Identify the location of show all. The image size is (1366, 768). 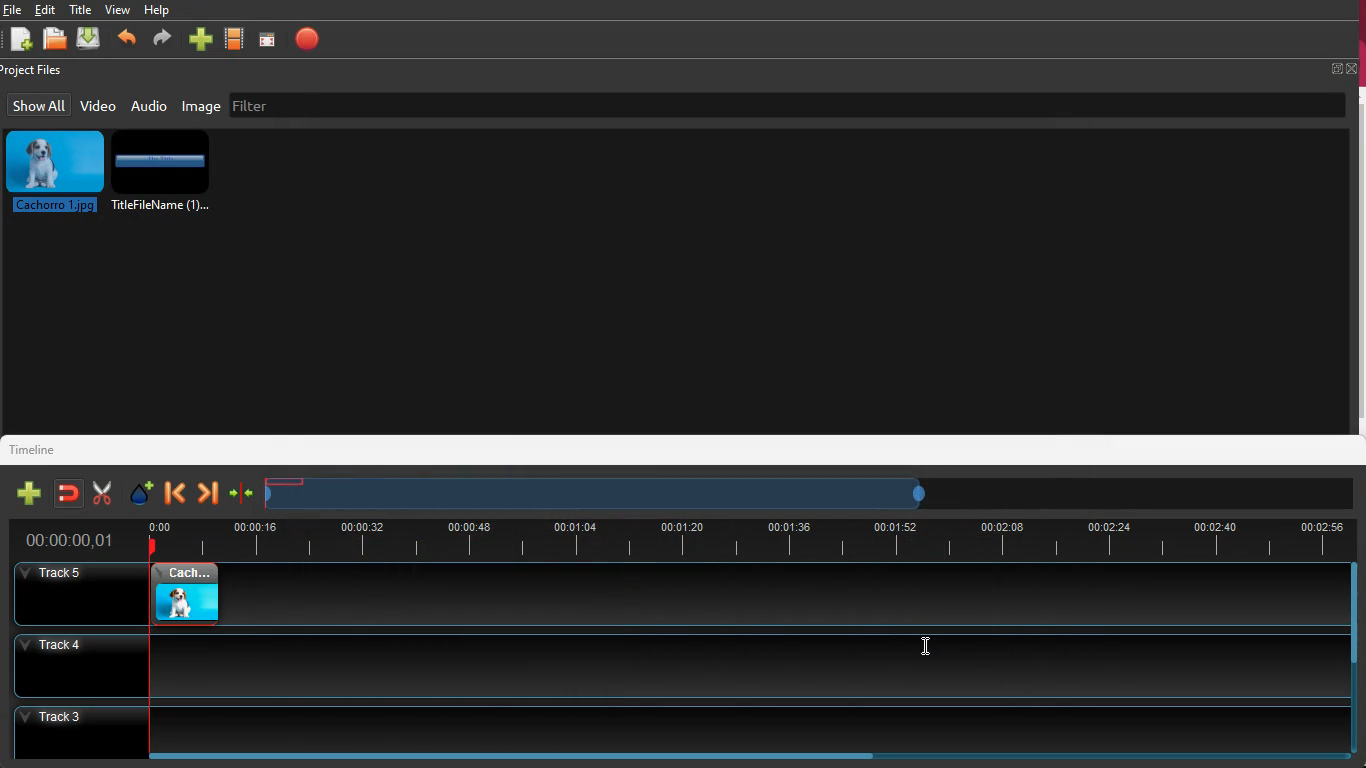
(39, 105).